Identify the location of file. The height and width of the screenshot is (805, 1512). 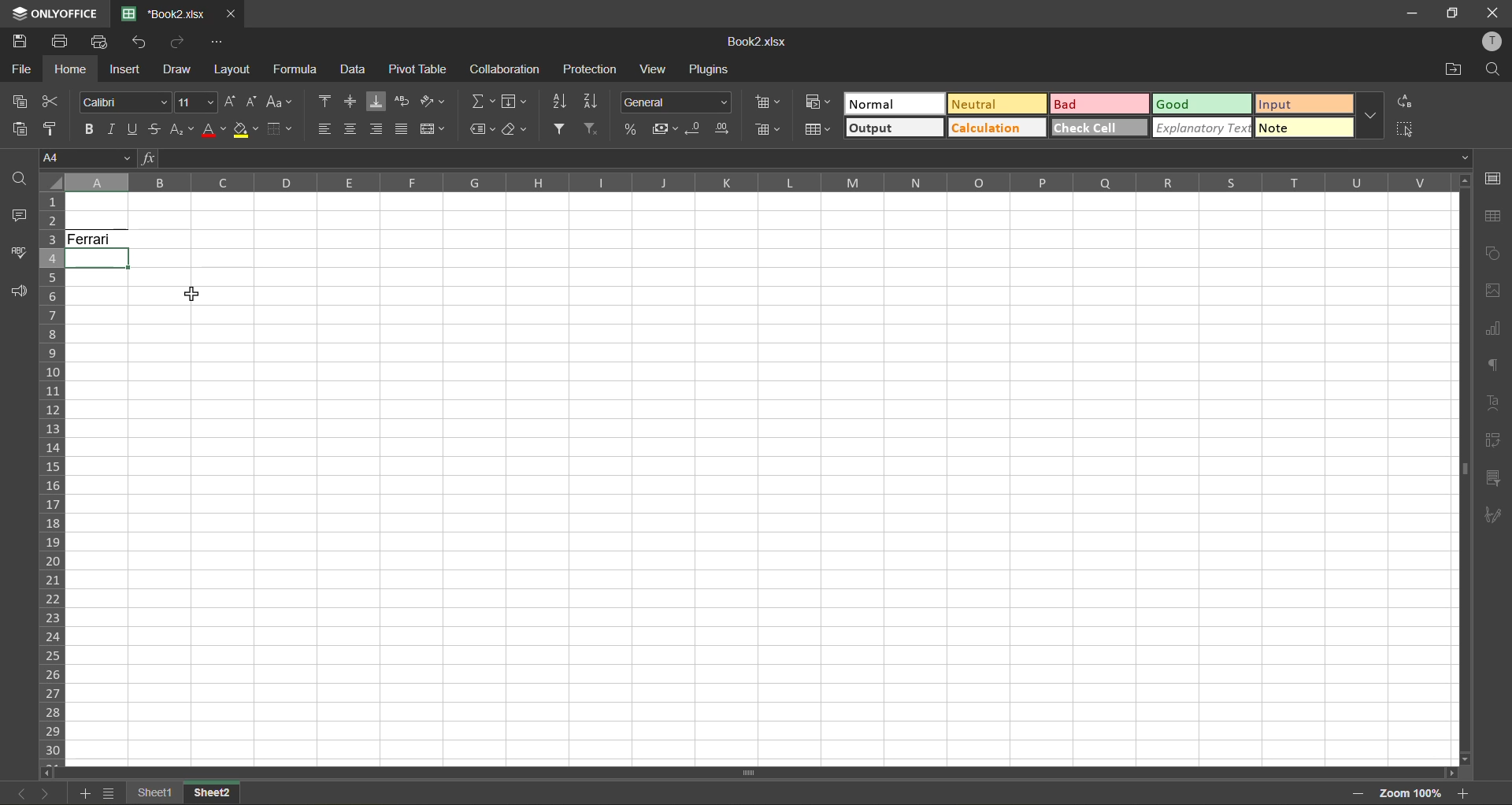
(20, 70).